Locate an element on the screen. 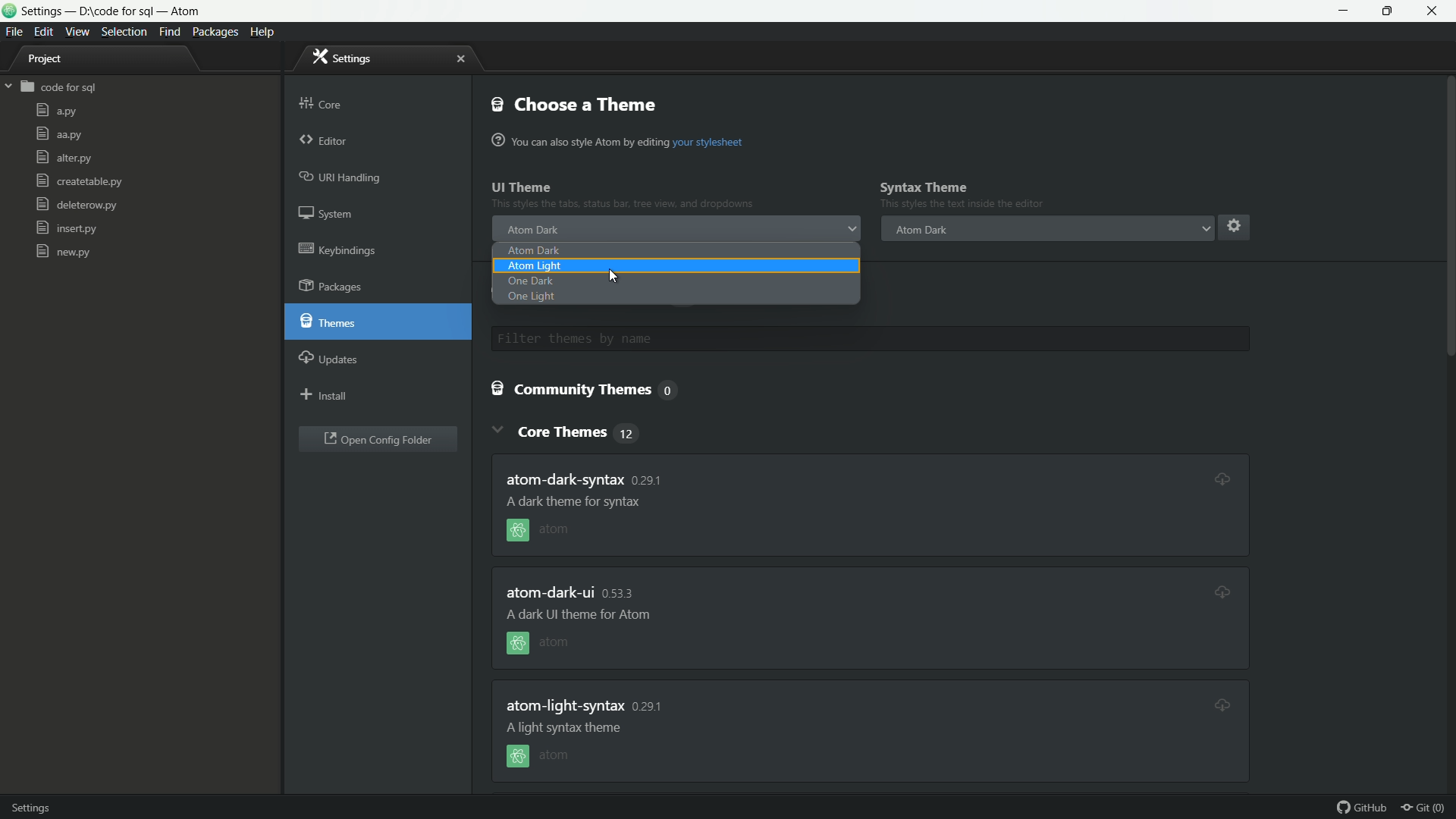 The image size is (1456, 819). settings is located at coordinates (1232, 225).